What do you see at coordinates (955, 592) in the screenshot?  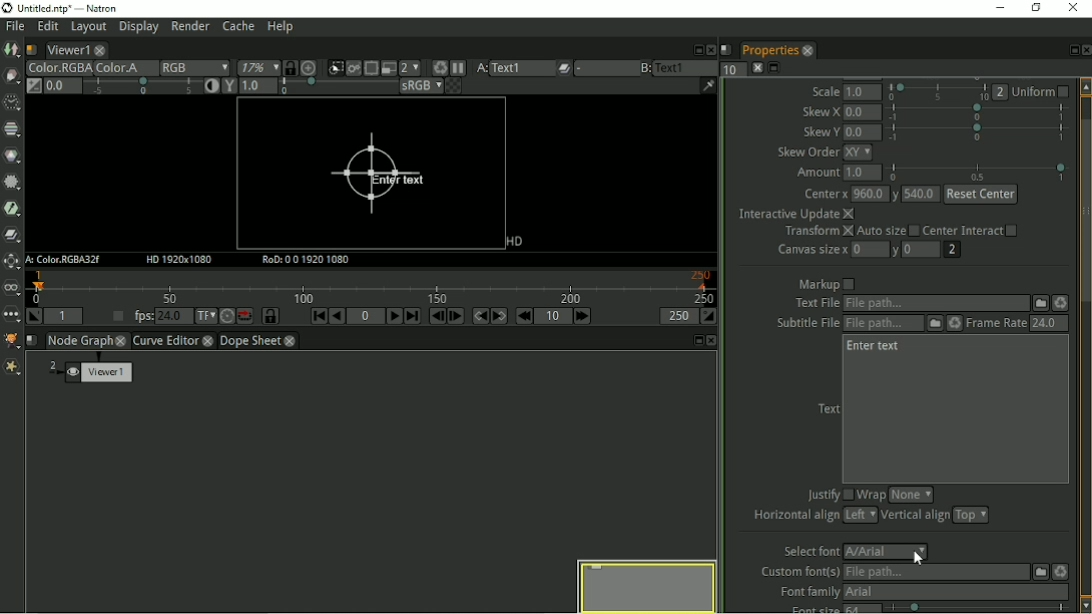 I see `arial` at bounding box center [955, 592].